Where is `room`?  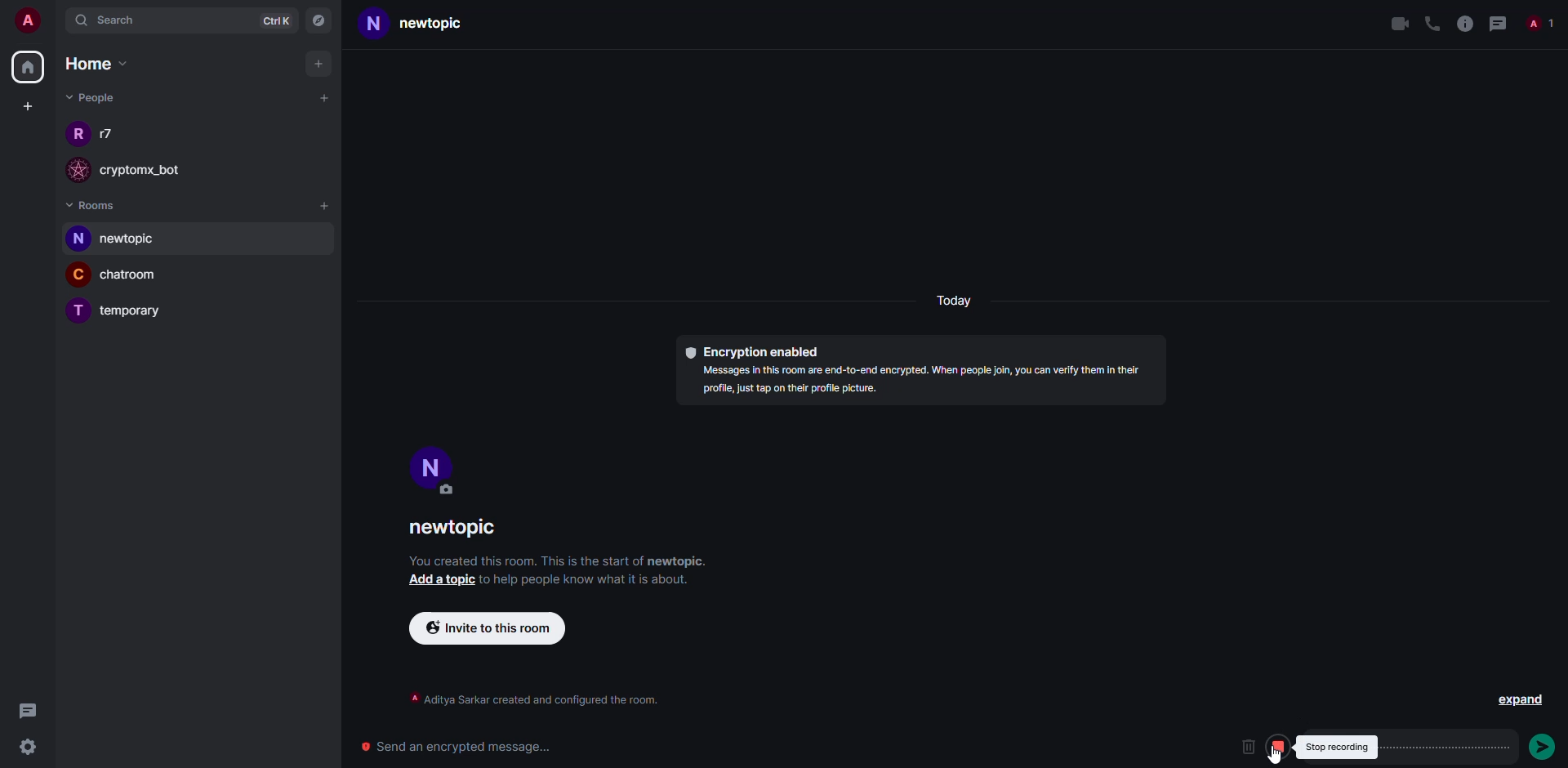
room is located at coordinates (140, 278).